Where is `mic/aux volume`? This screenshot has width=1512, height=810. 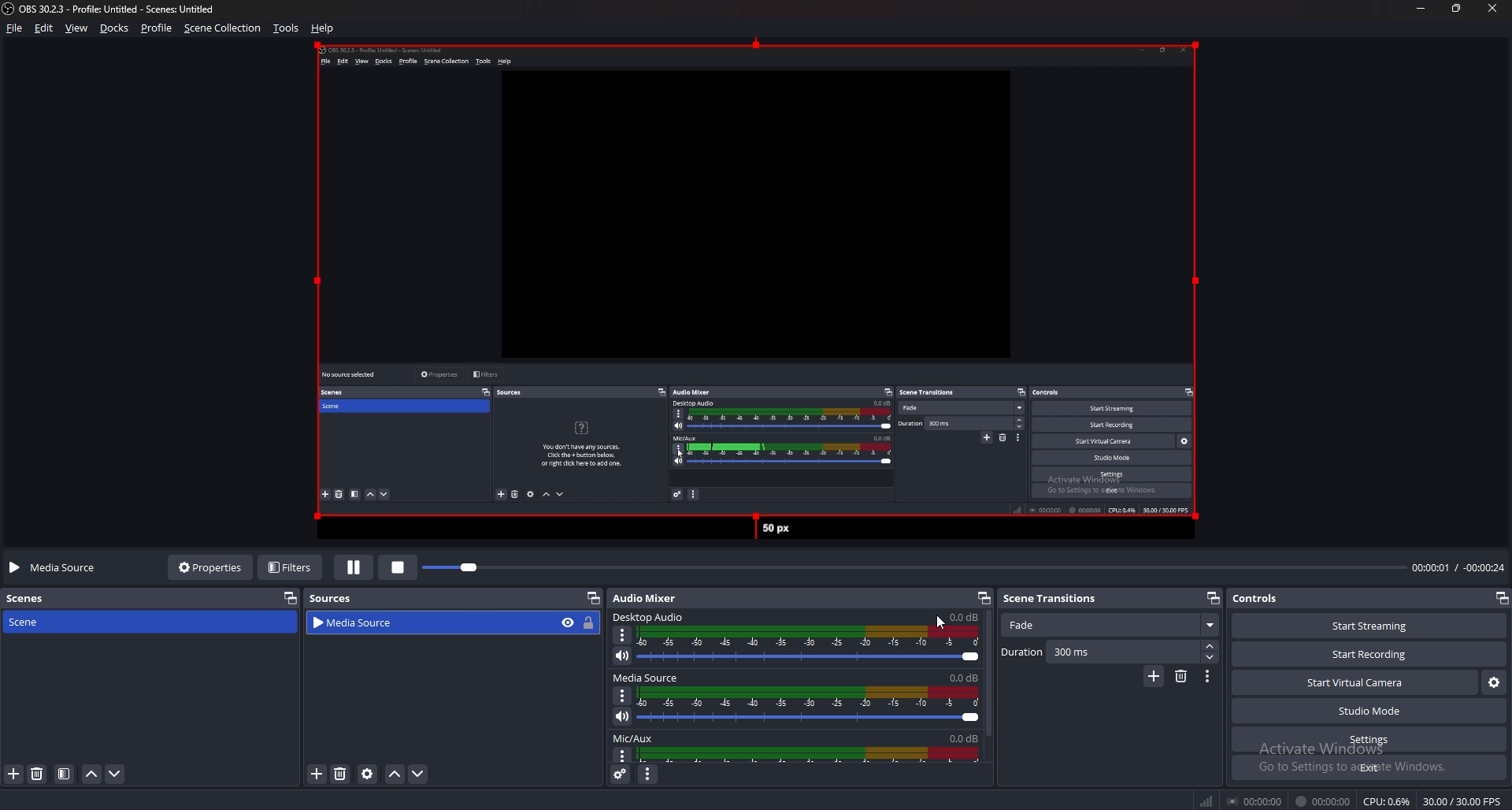
mic/aux volume is located at coordinates (813, 754).